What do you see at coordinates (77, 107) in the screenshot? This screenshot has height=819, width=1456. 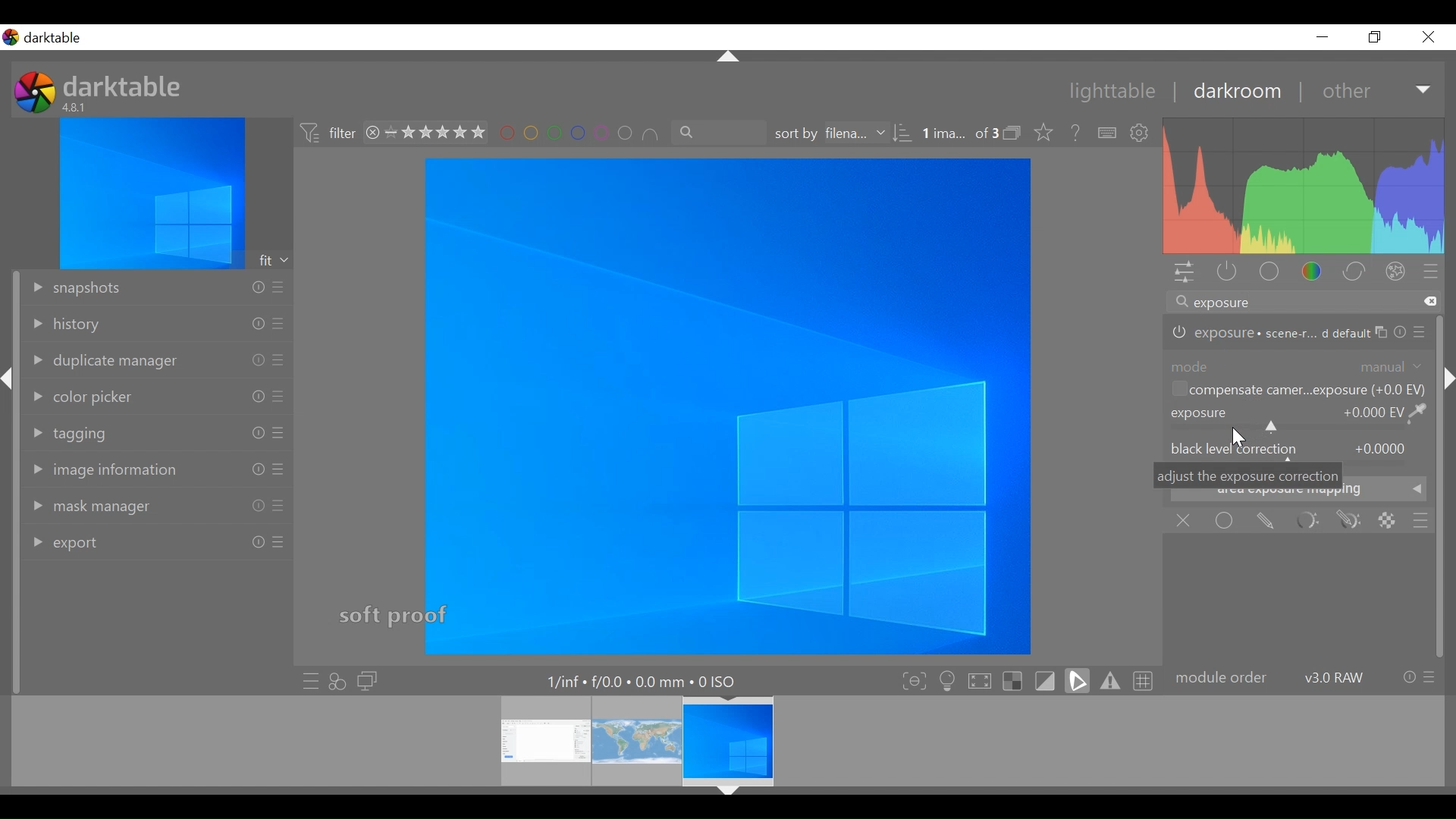 I see `version` at bounding box center [77, 107].